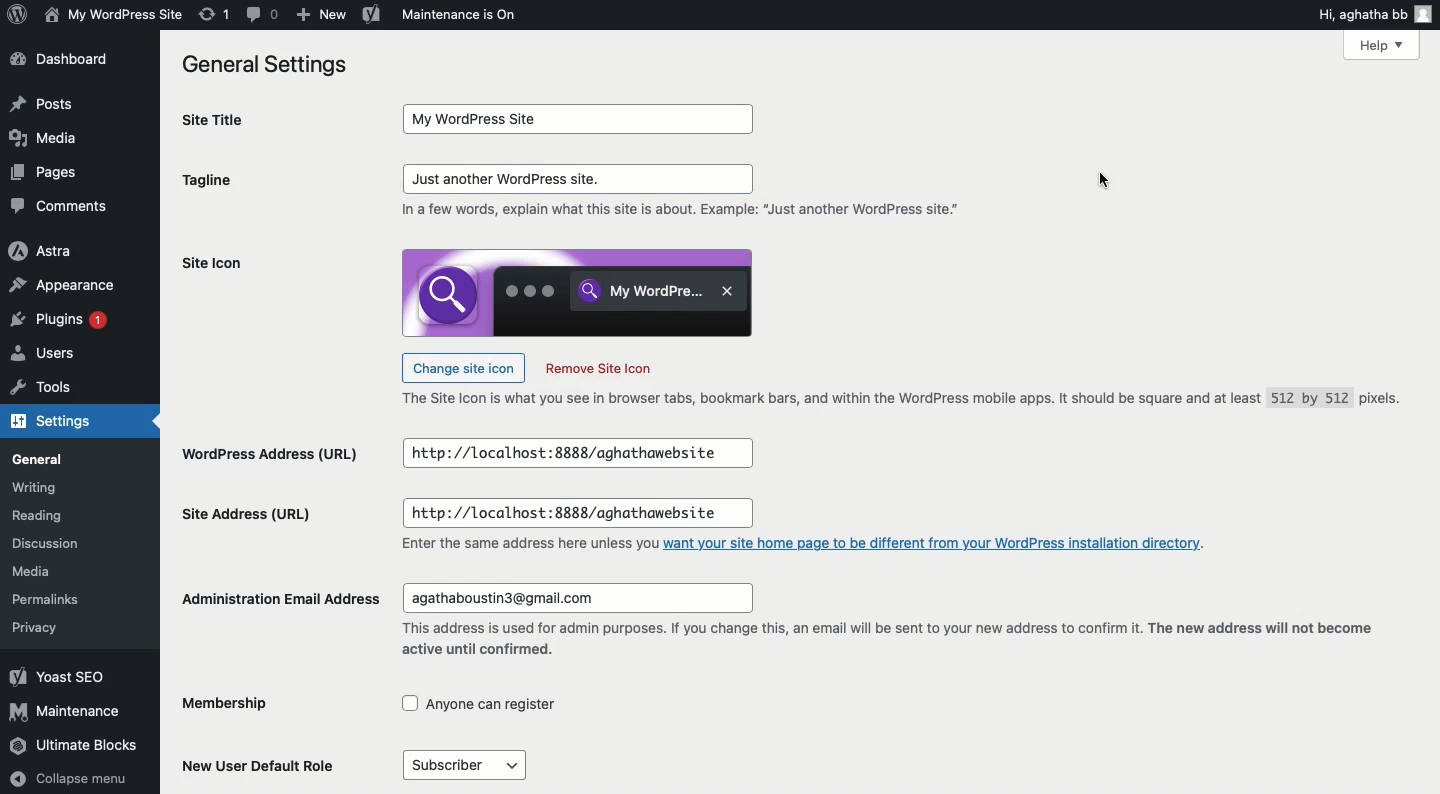  Describe the element at coordinates (34, 627) in the screenshot. I see `Privacy` at that location.